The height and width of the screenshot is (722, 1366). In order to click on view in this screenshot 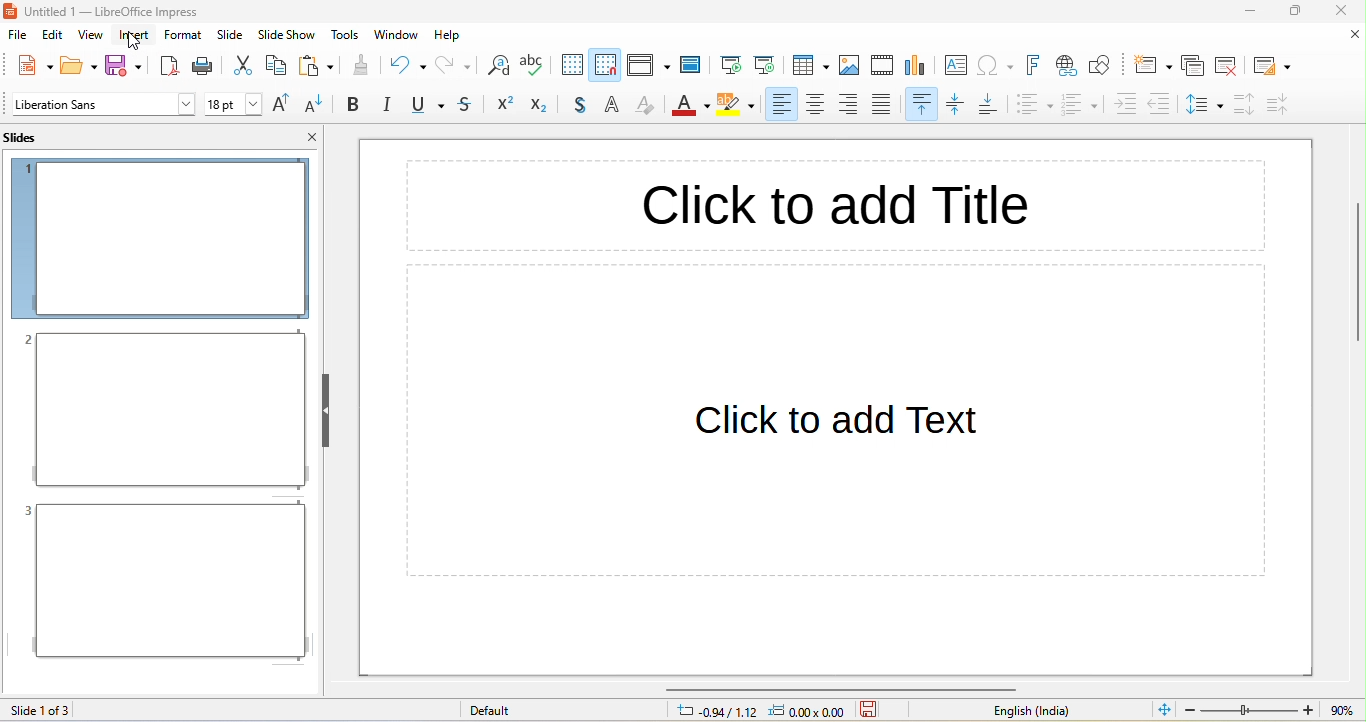, I will do `click(90, 38)`.